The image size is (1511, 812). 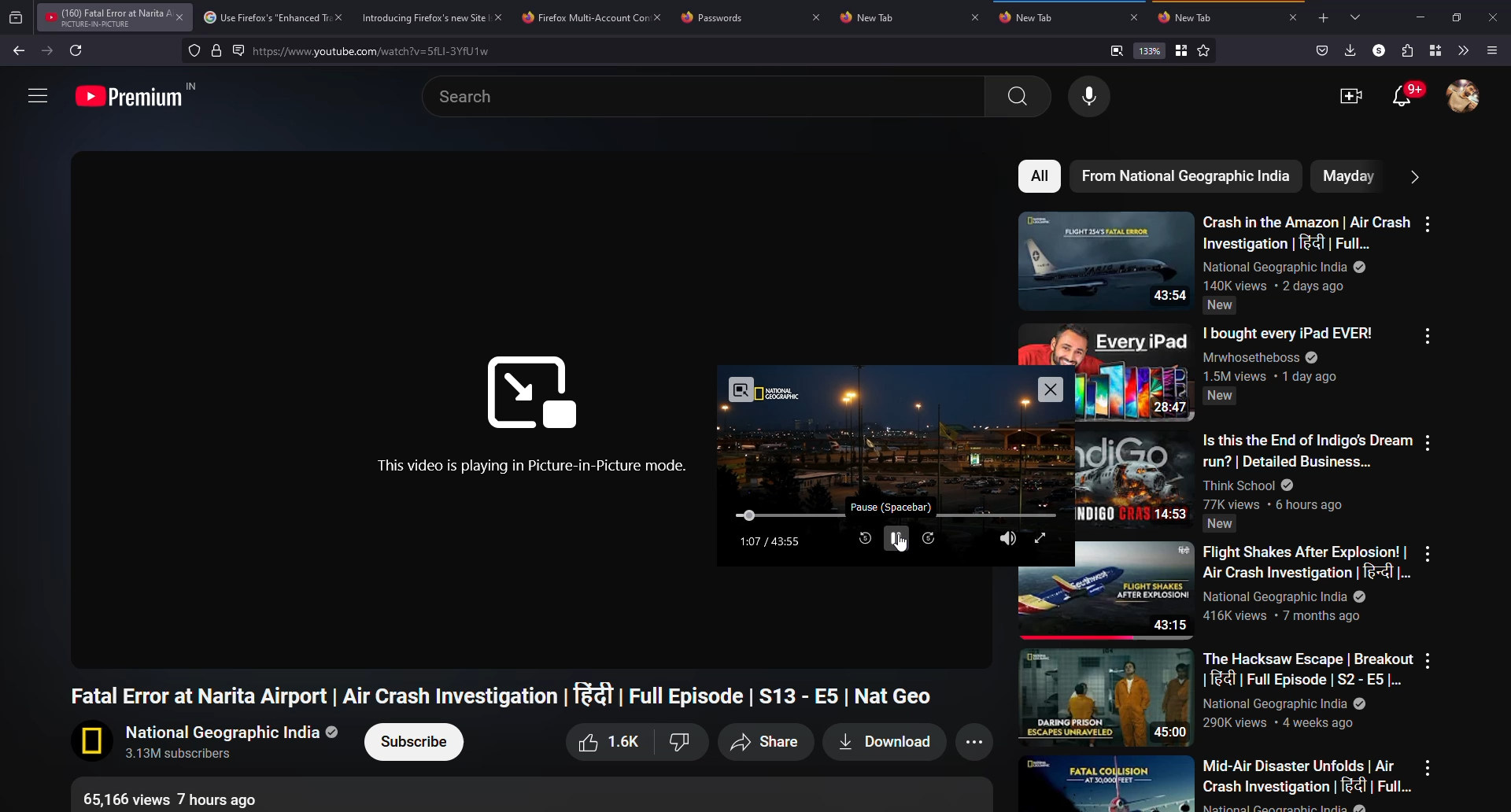 I want to click on more, so click(x=1428, y=336).